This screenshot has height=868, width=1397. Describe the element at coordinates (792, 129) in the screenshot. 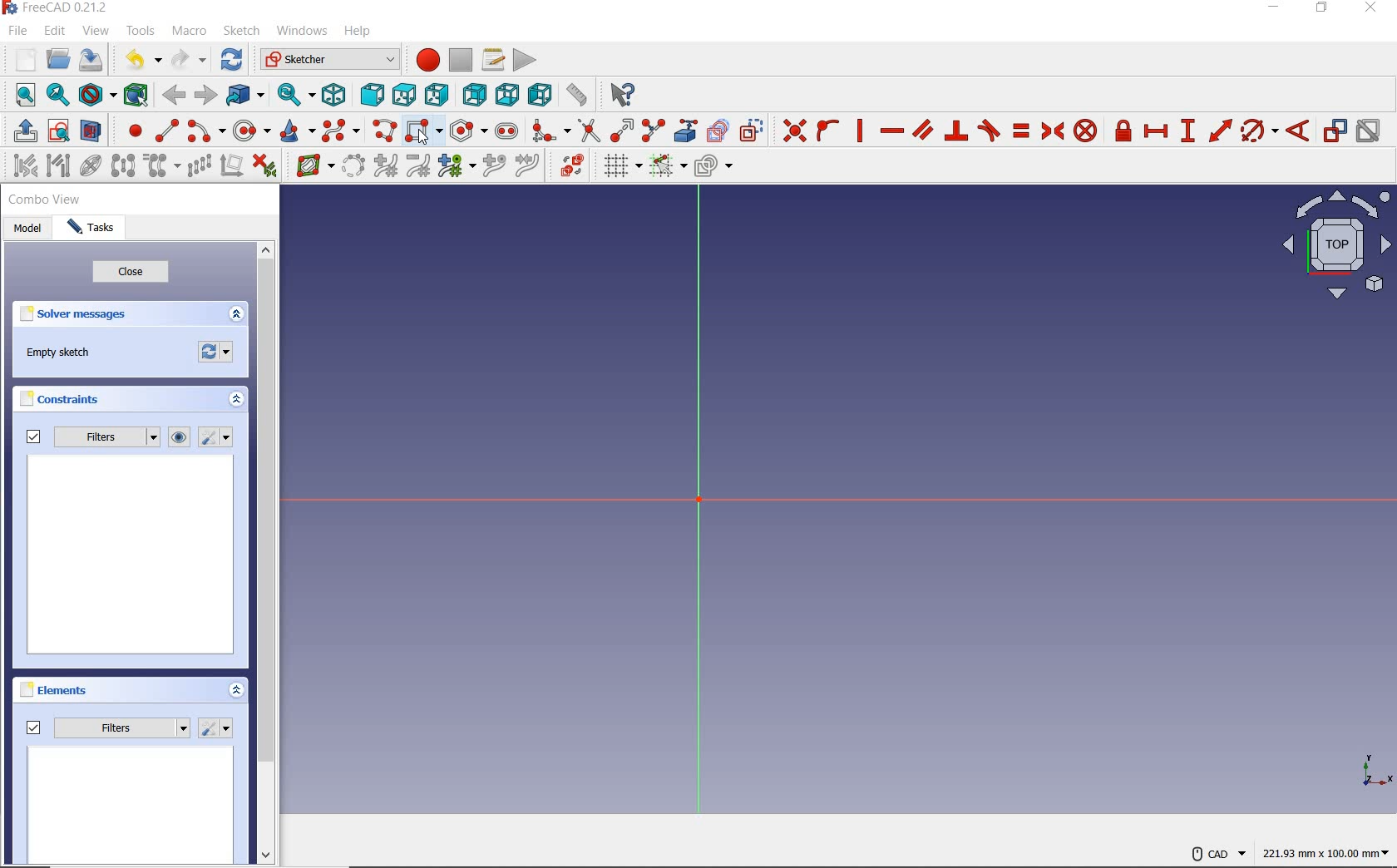

I see `constrain coincident` at that location.